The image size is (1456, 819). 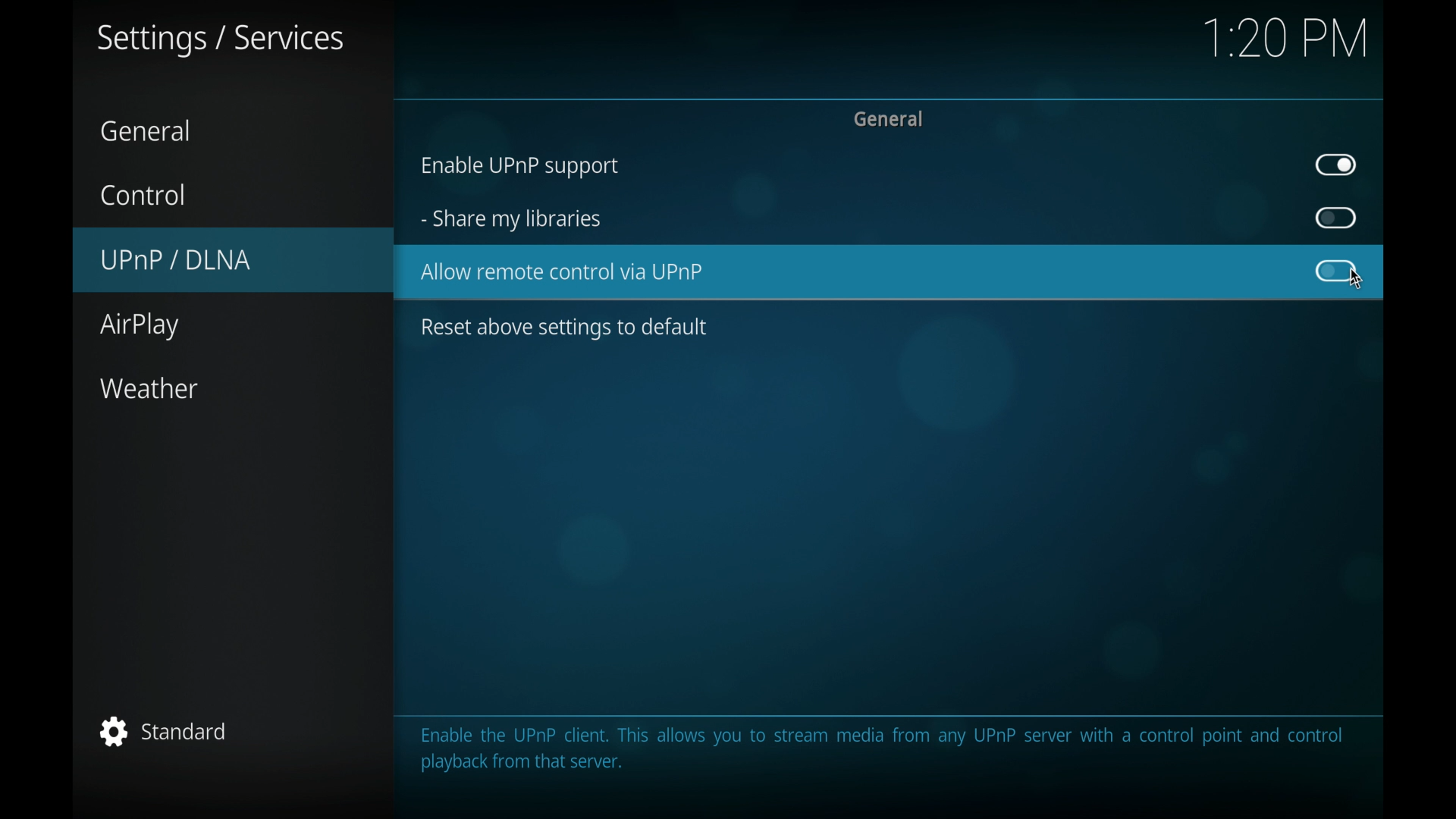 What do you see at coordinates (1357, 281) in the screenshot?
I see `cursor` at bounding box center [1357, 281].